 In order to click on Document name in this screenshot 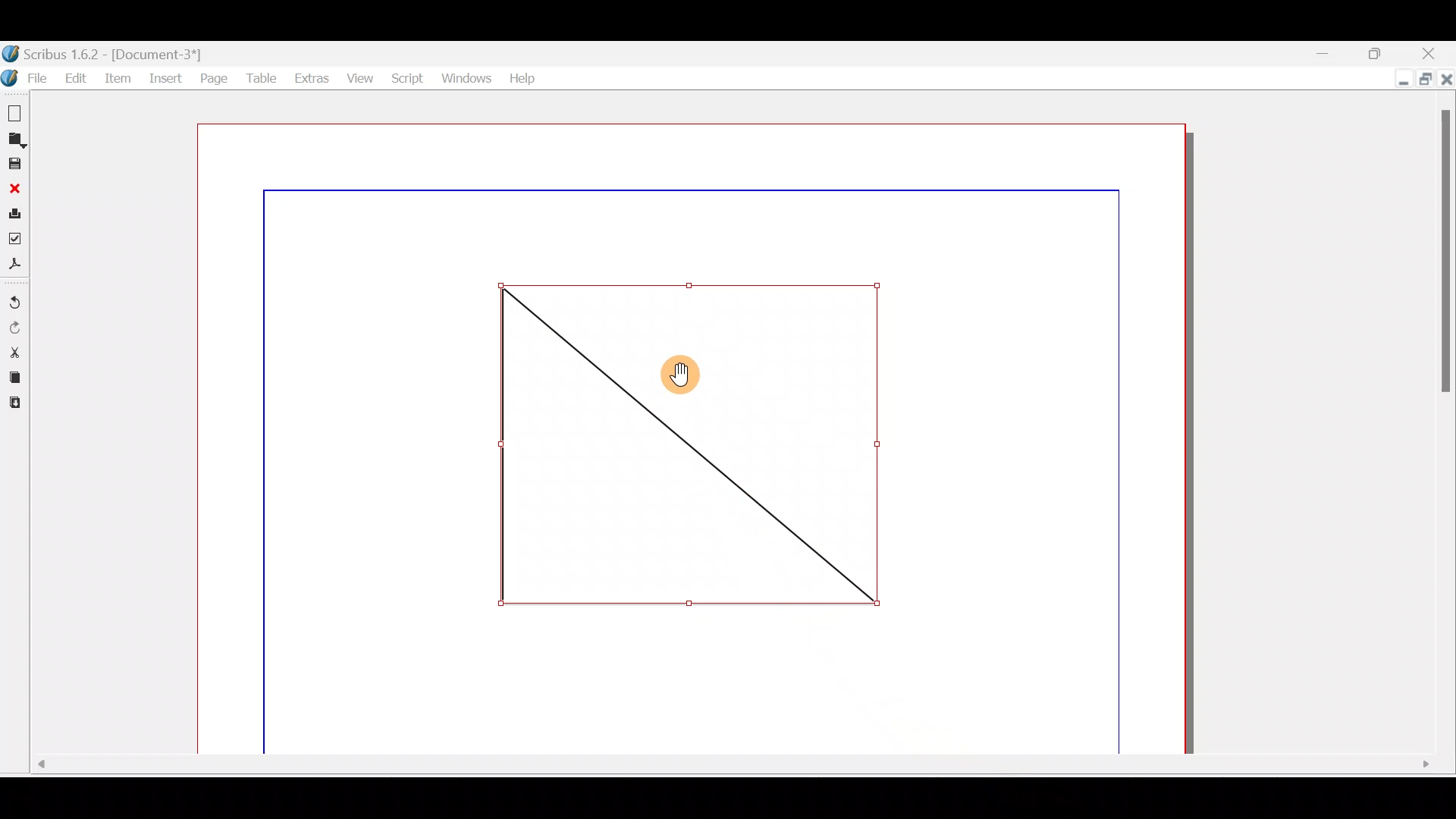, I will do `click(120, 52)`.